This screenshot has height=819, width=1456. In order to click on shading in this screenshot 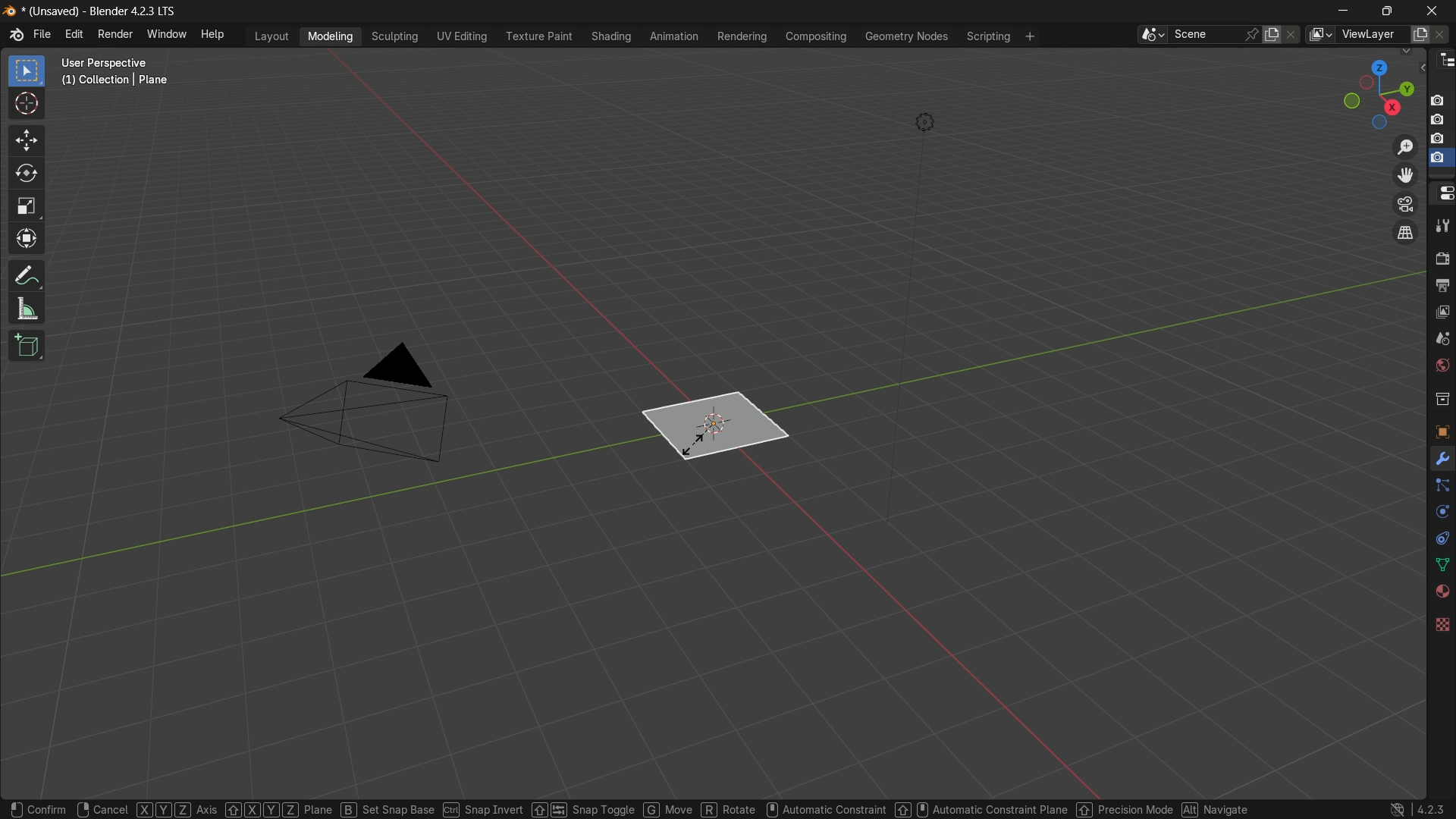, I will do `click(610, 36)`.